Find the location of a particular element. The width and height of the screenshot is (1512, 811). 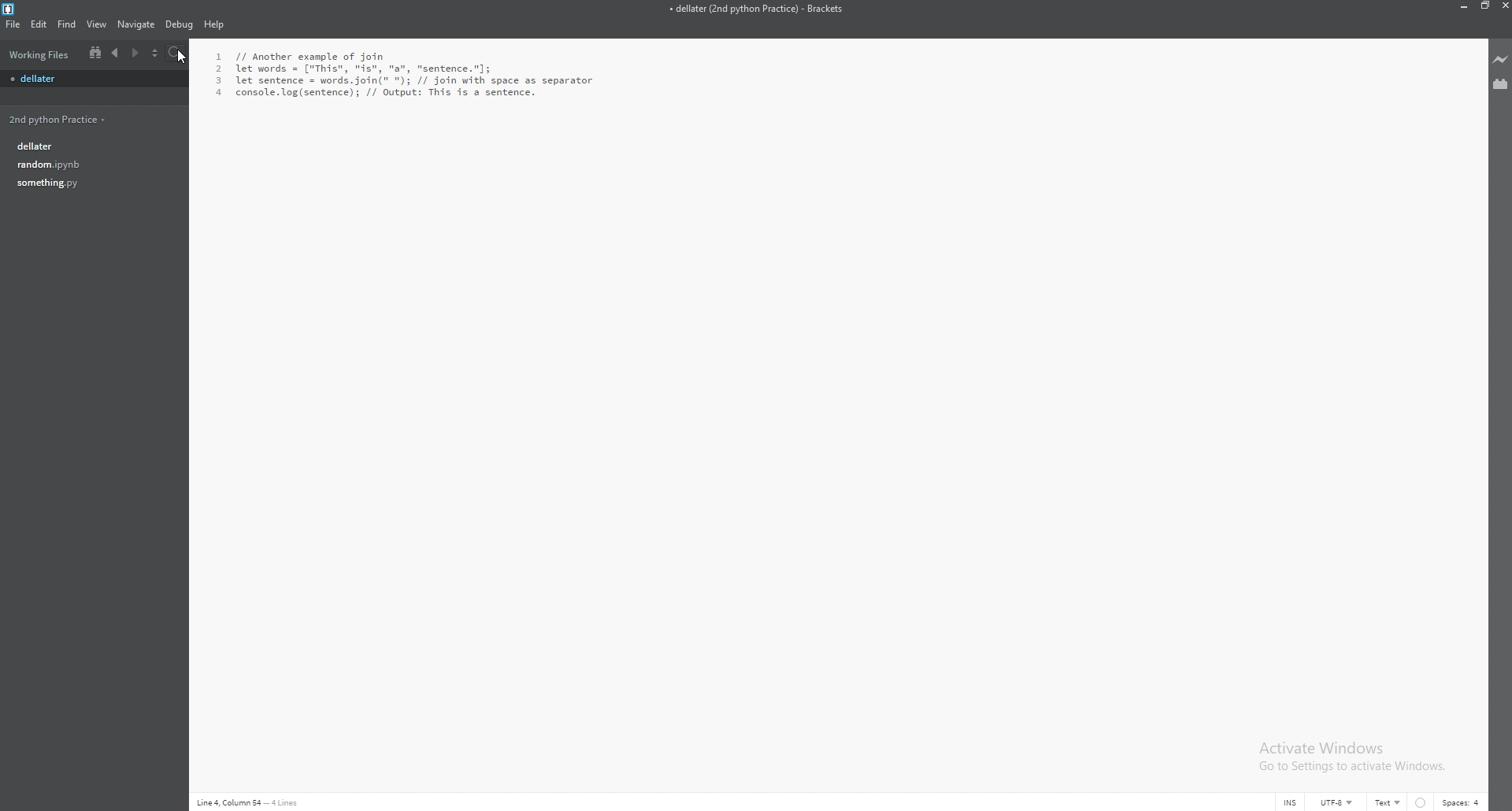

close is located at coordinates (1503, 6).